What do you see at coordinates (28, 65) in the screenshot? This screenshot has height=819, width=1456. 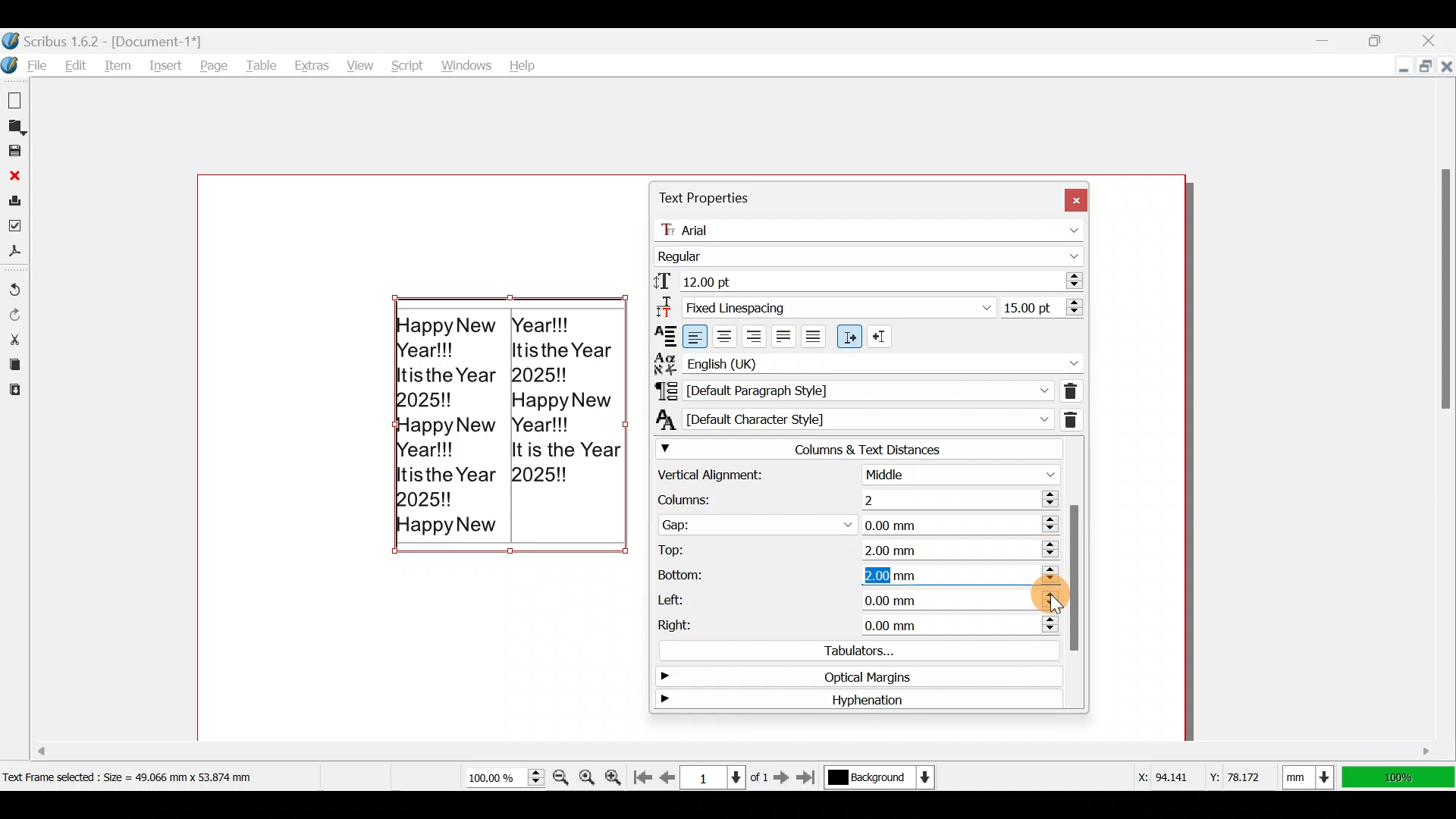 I see `File` at bounding box center [28, 65].